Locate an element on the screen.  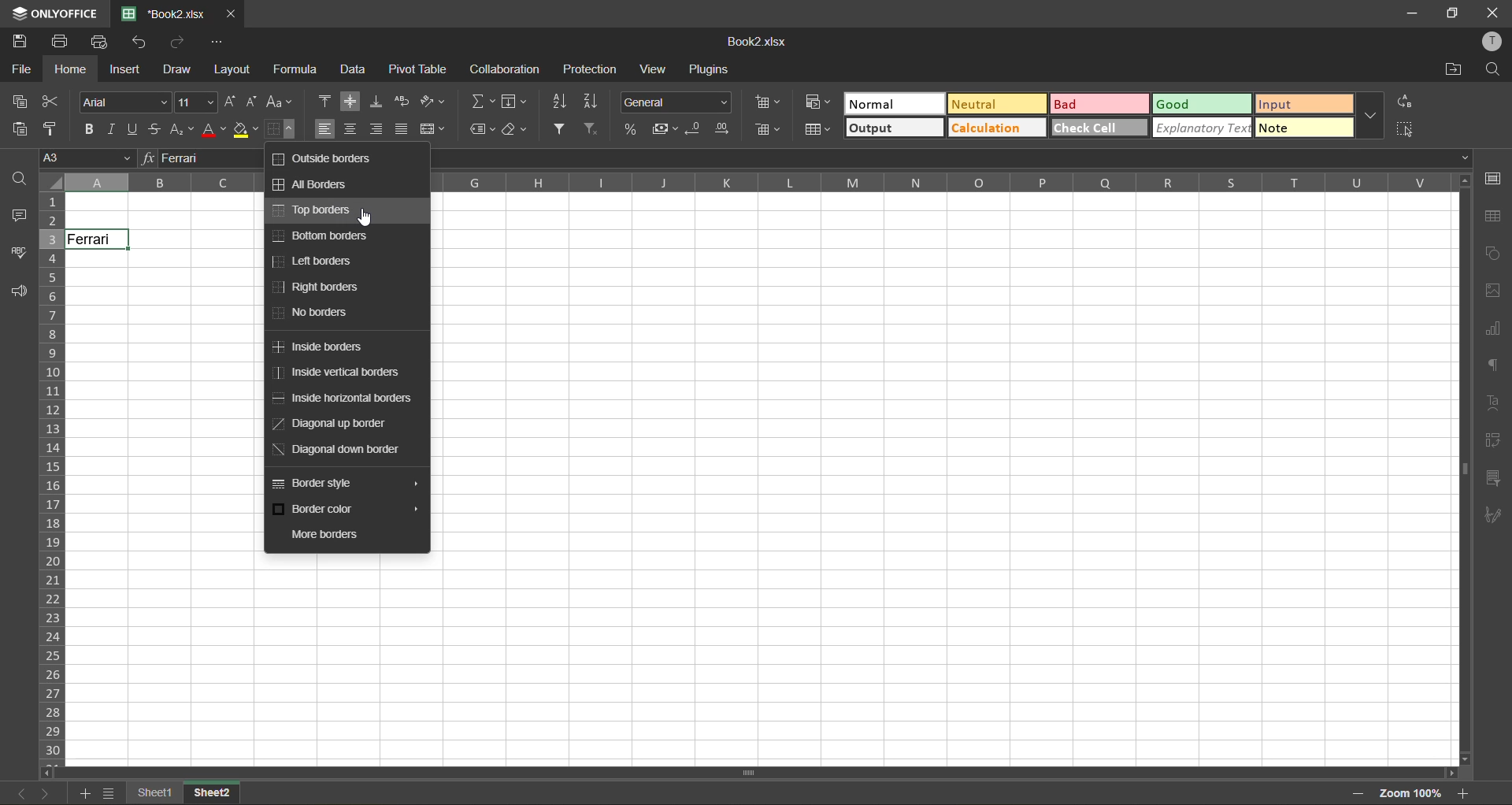
increment size is located at coordinates (232, 101).